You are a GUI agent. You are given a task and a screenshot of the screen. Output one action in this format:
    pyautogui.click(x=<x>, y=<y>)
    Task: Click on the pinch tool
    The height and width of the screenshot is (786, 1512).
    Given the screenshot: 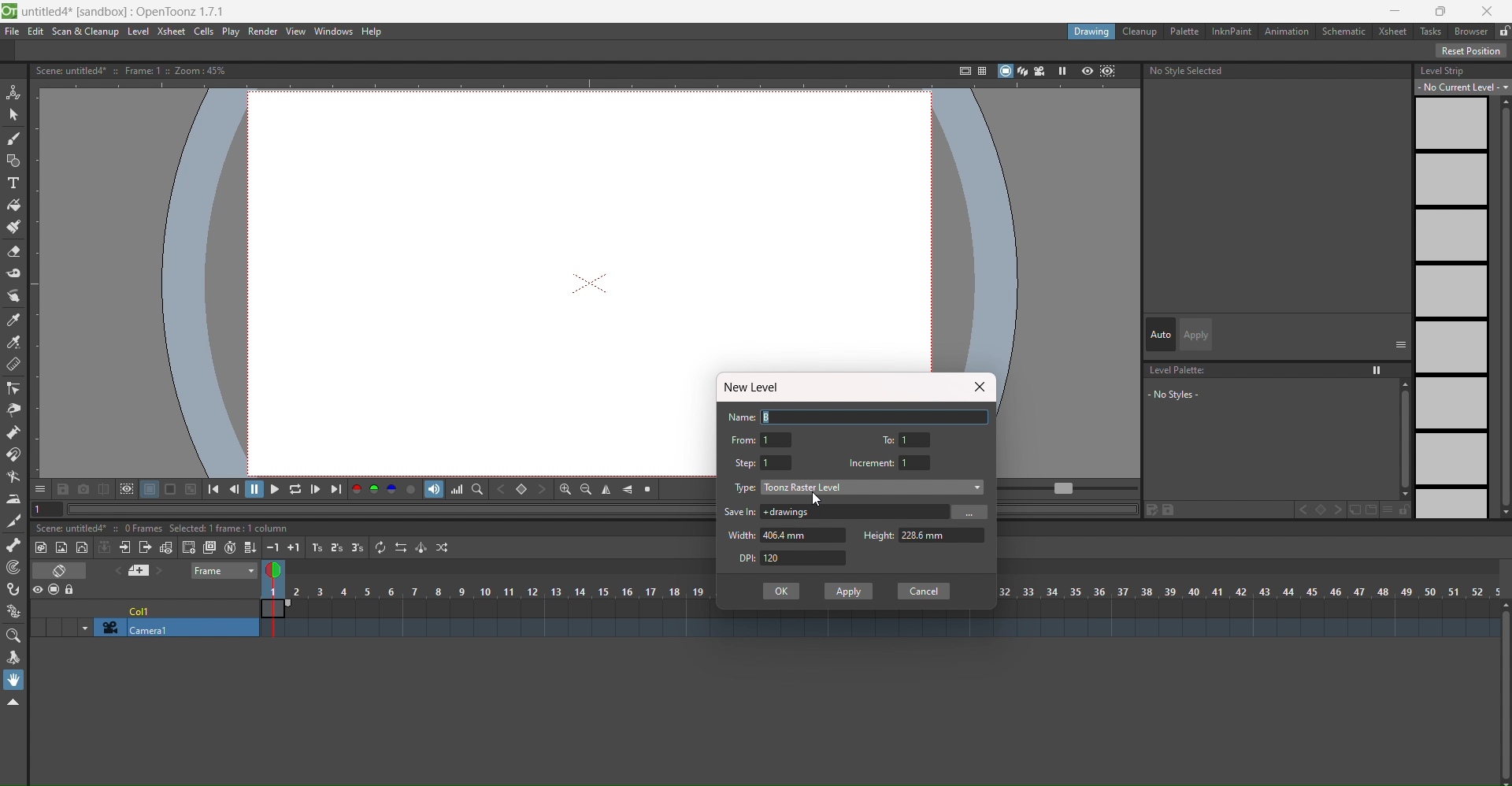 What is the action you would take?
    pyautogui.click(x=13, y=410)
    